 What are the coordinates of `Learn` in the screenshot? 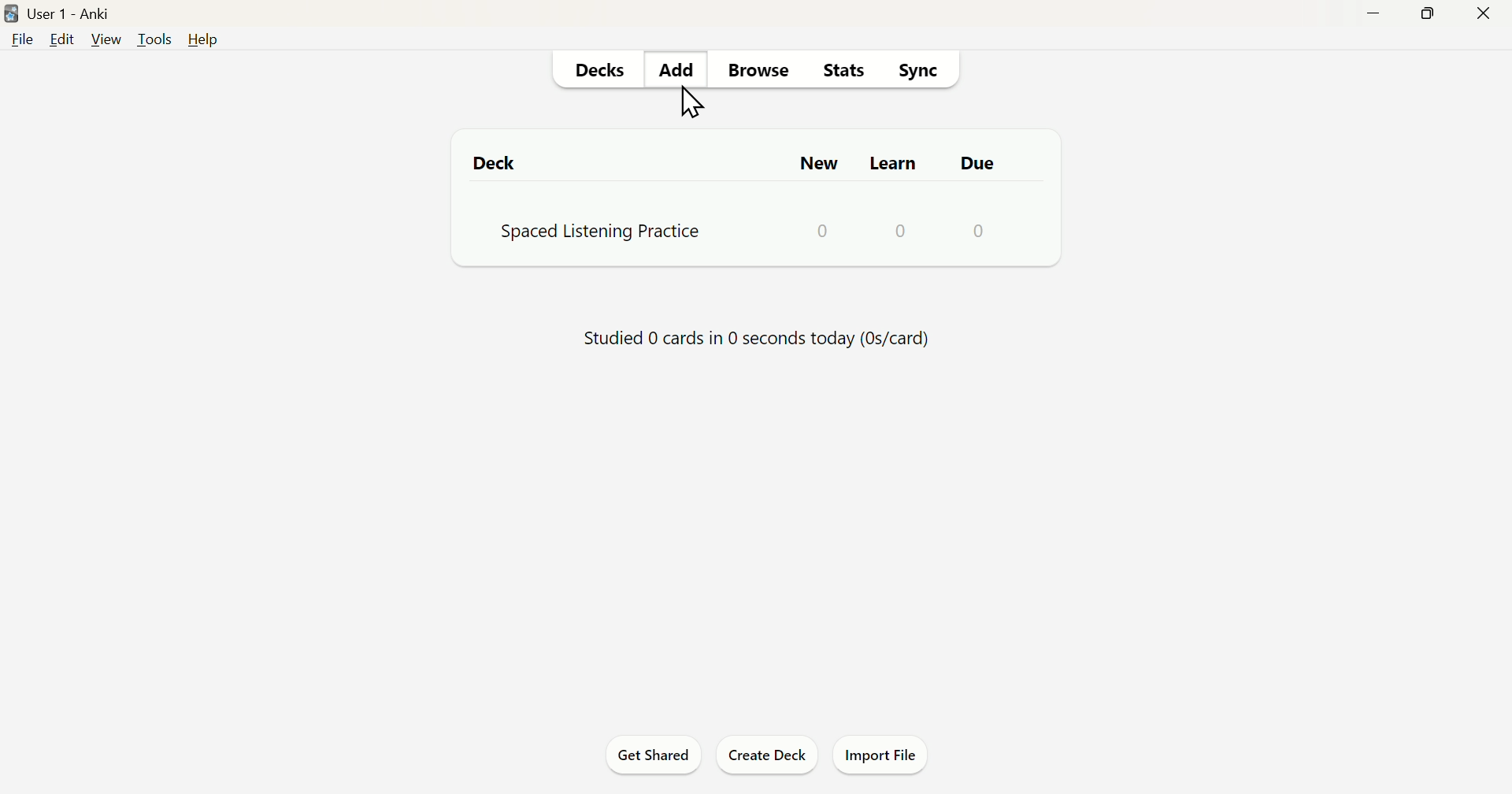 It's located at (891, 164).